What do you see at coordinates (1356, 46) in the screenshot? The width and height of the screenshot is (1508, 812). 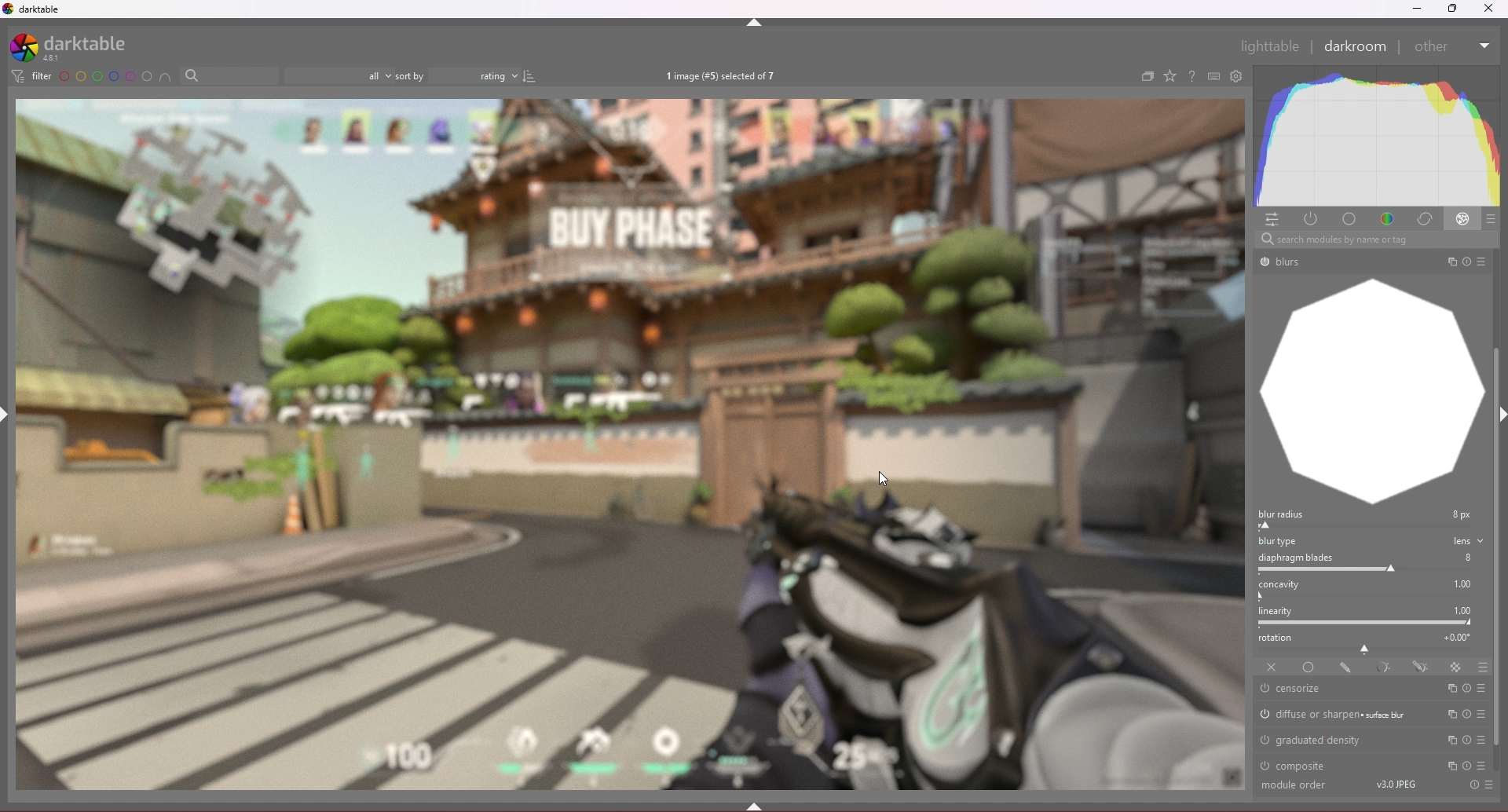 I see `darkroom` at bounding box center [1356, 46].